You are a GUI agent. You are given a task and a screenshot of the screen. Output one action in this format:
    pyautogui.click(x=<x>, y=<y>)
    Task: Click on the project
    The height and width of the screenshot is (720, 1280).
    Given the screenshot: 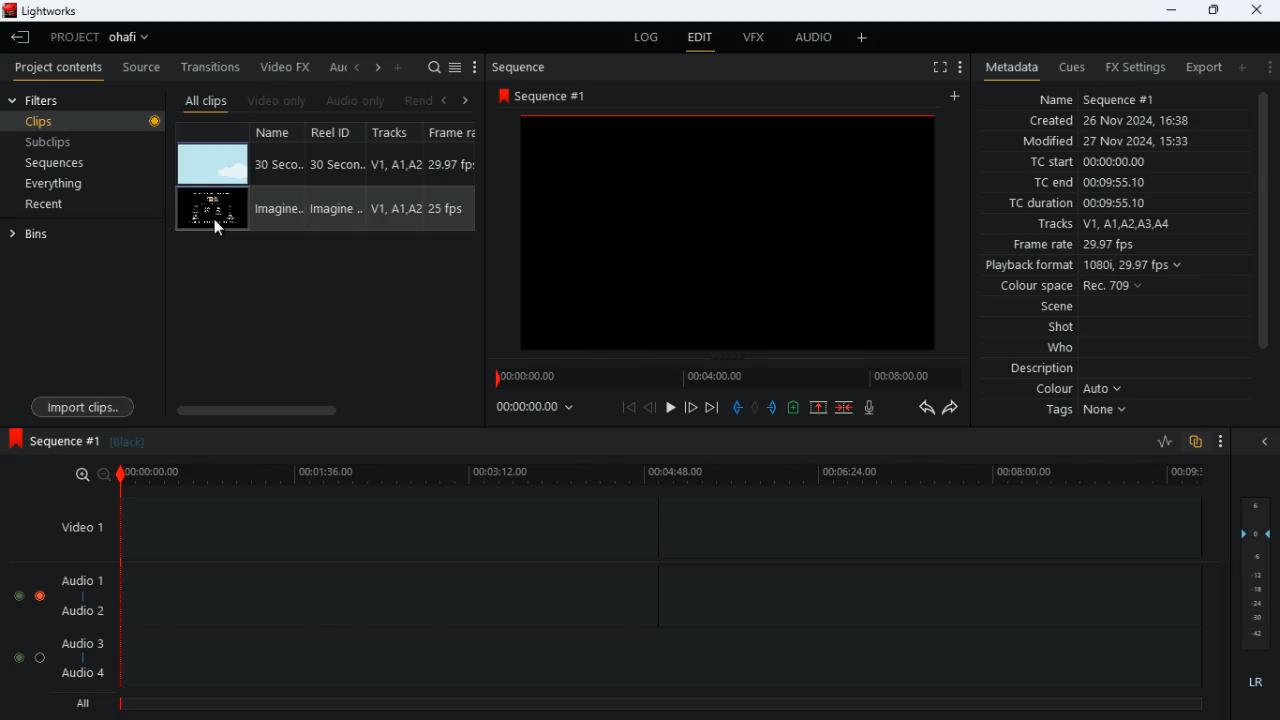 What is the action you would take?
    pyautogui.click(x=106, y=37)
    